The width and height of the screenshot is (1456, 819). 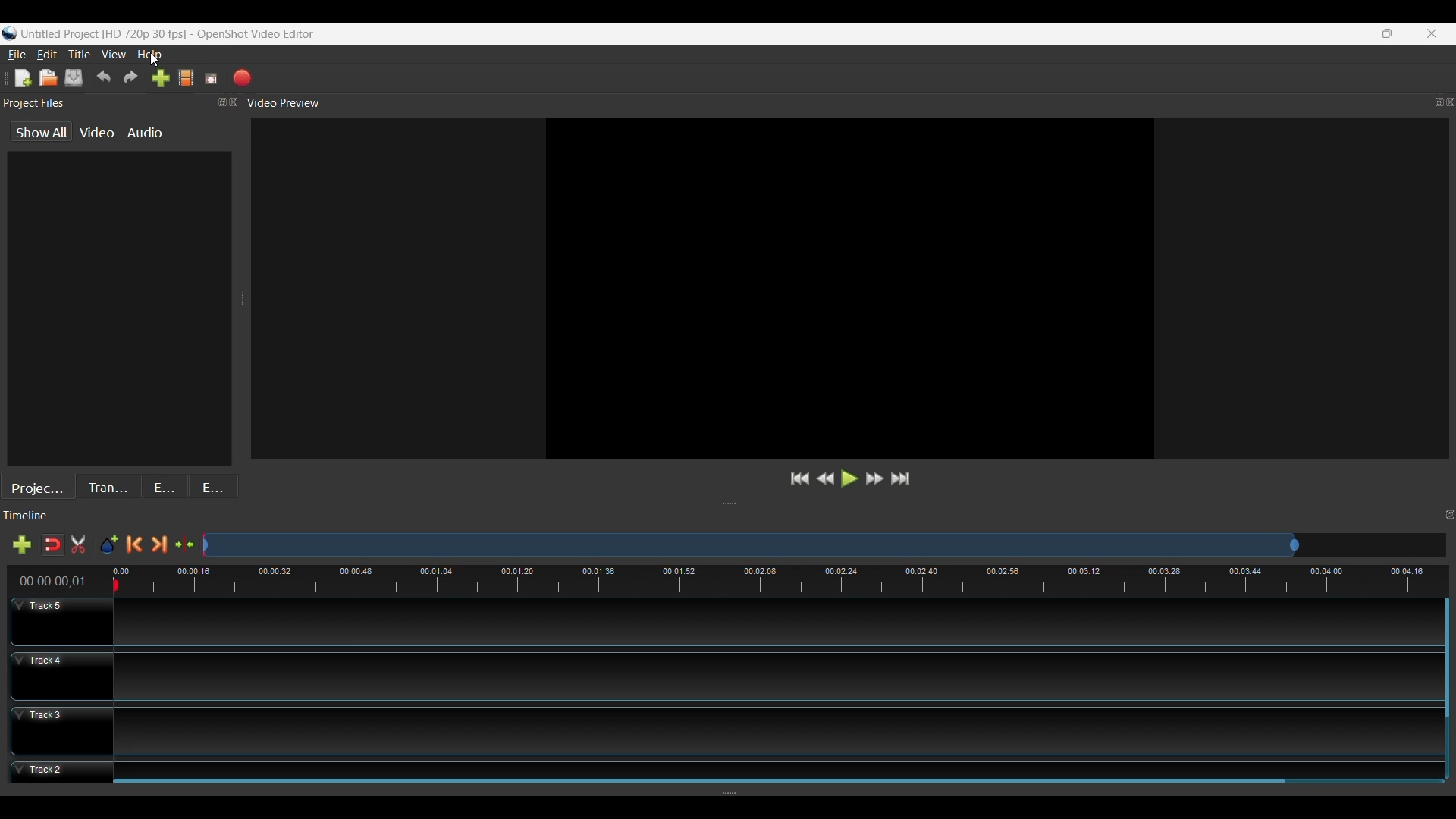 What do you see at coordinates (1343, 33) in the screenshot?
I see `minimize` at bounding box center [1343, 33].